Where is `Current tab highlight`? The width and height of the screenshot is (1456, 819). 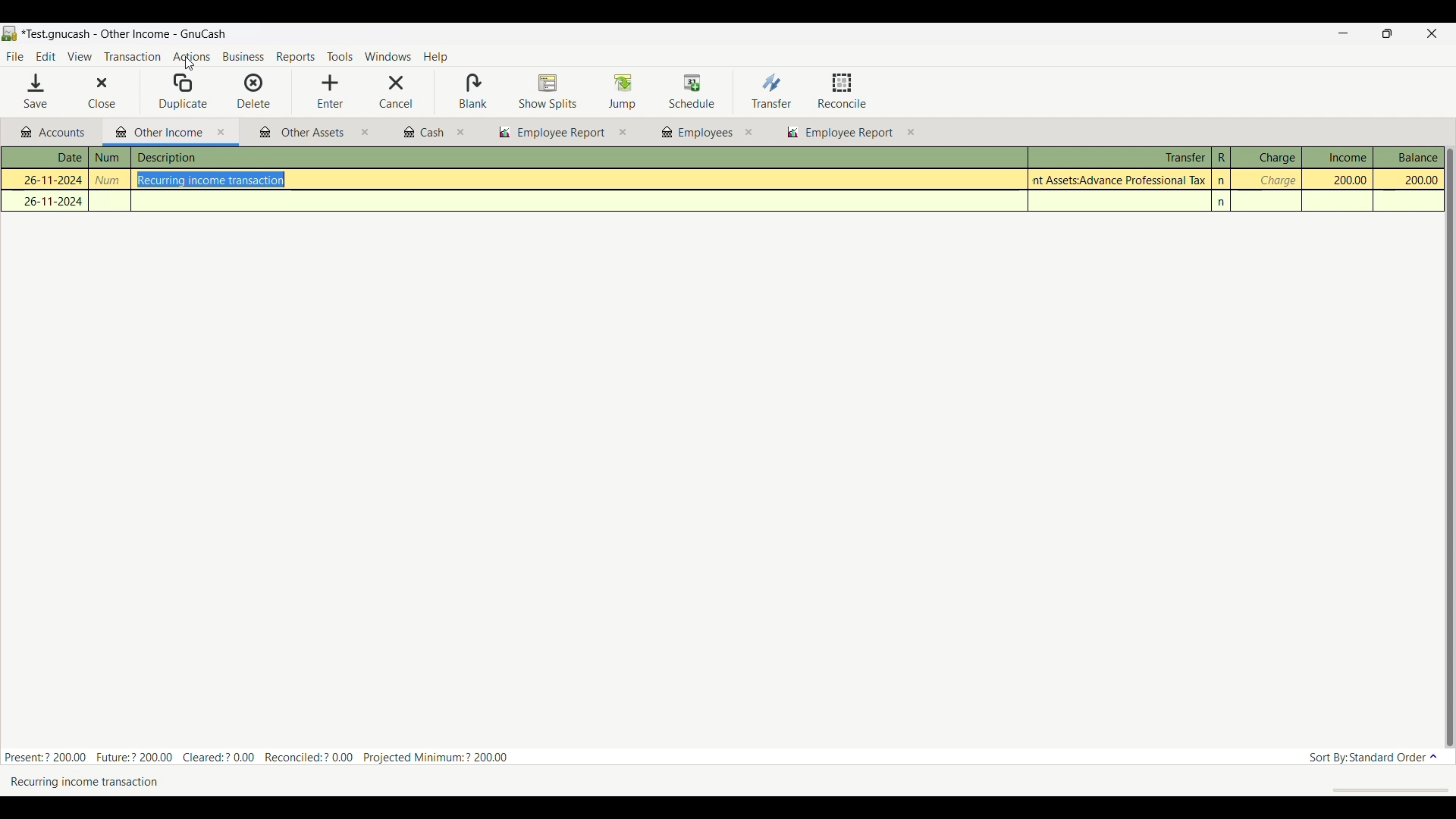
Current tab highlight is located at coordinates (155, 131).